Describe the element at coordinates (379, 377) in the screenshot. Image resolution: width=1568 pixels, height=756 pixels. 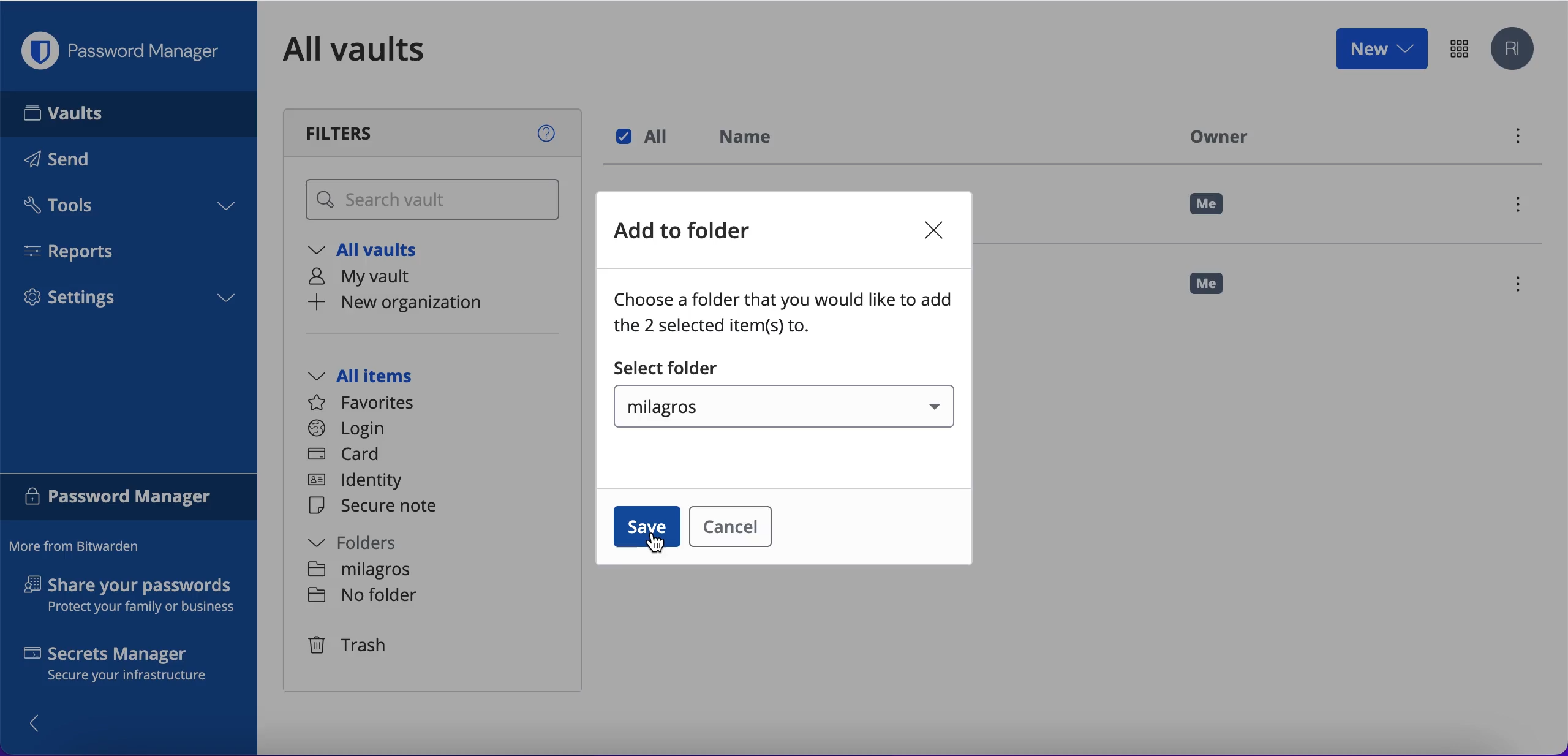
I see `all items` at that location.